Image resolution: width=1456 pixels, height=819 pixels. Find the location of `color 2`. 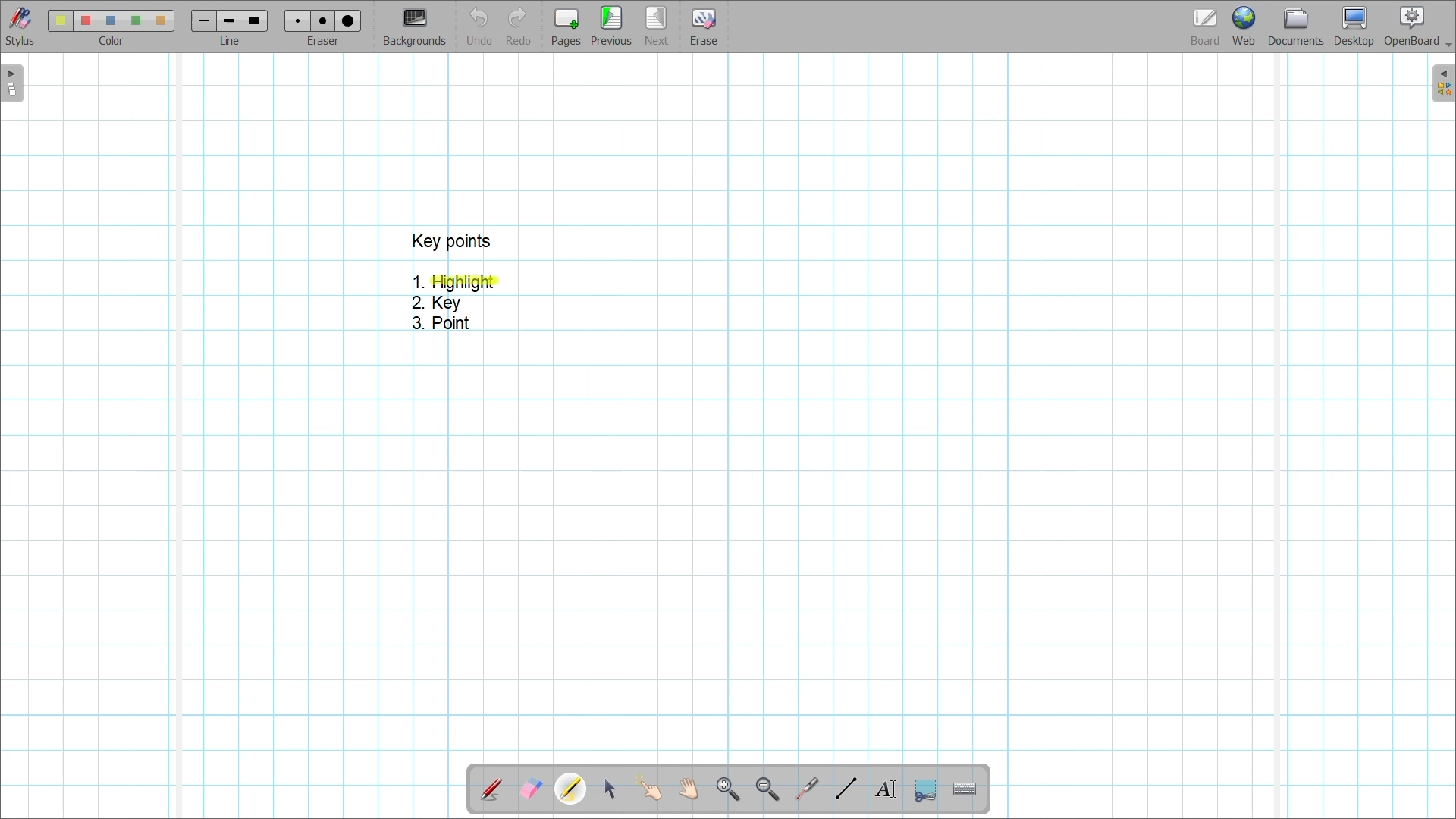

color 2 is located at coordinates (85, 21).